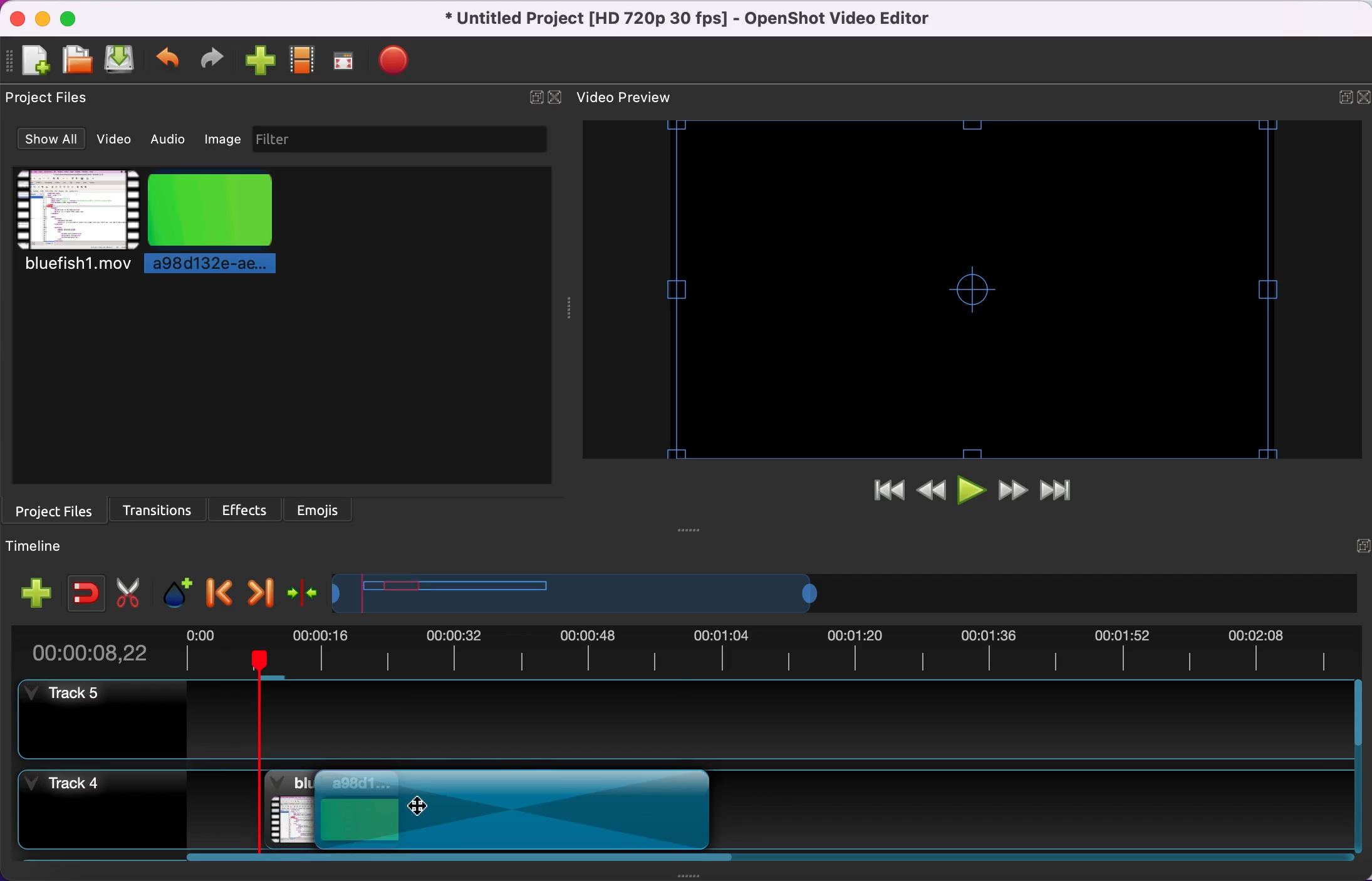  I want to click on center the timeline, so click(304, 592).